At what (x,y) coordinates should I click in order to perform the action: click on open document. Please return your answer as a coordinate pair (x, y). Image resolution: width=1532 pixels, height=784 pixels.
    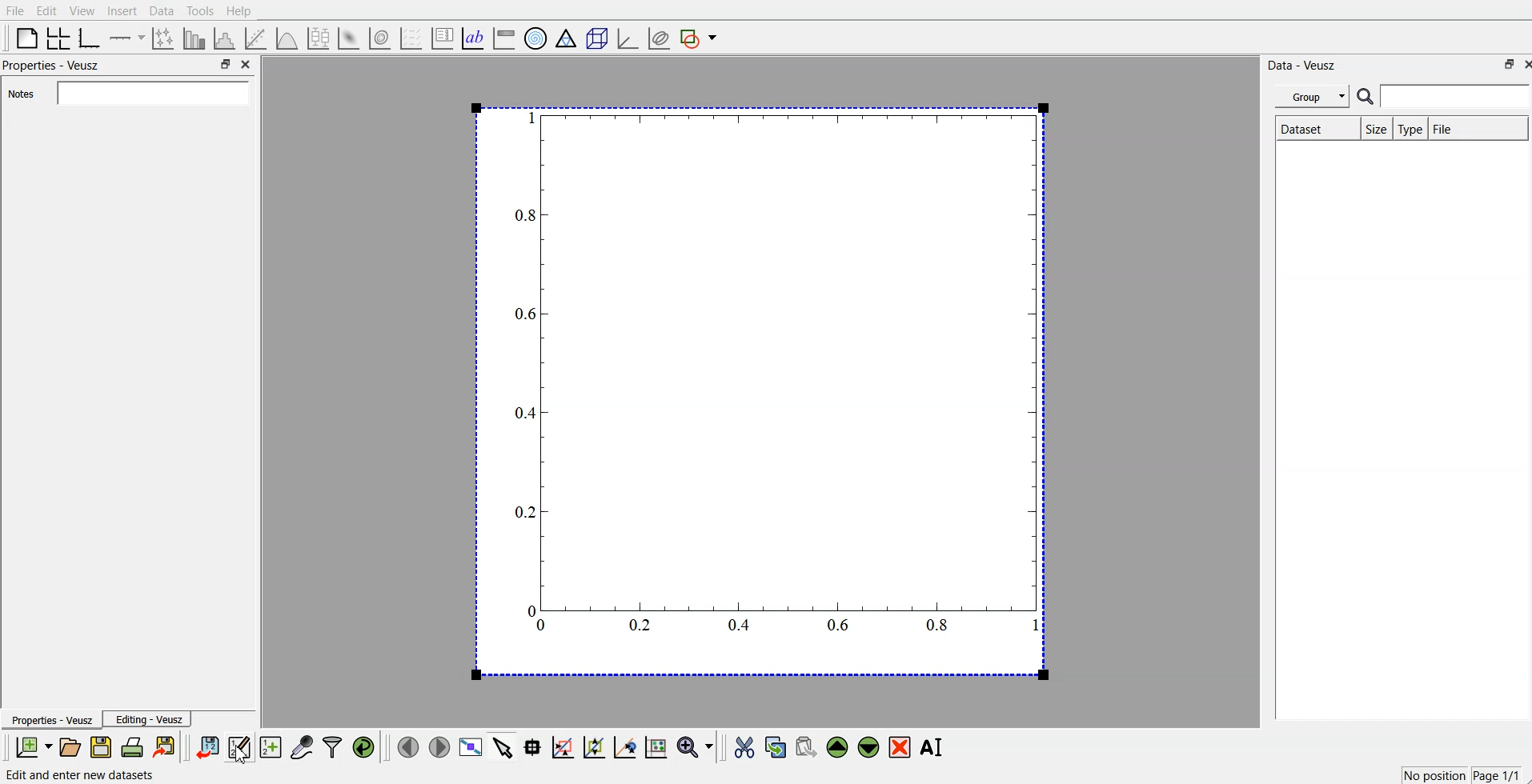
    Looking at the image, I should click on (72, 748).